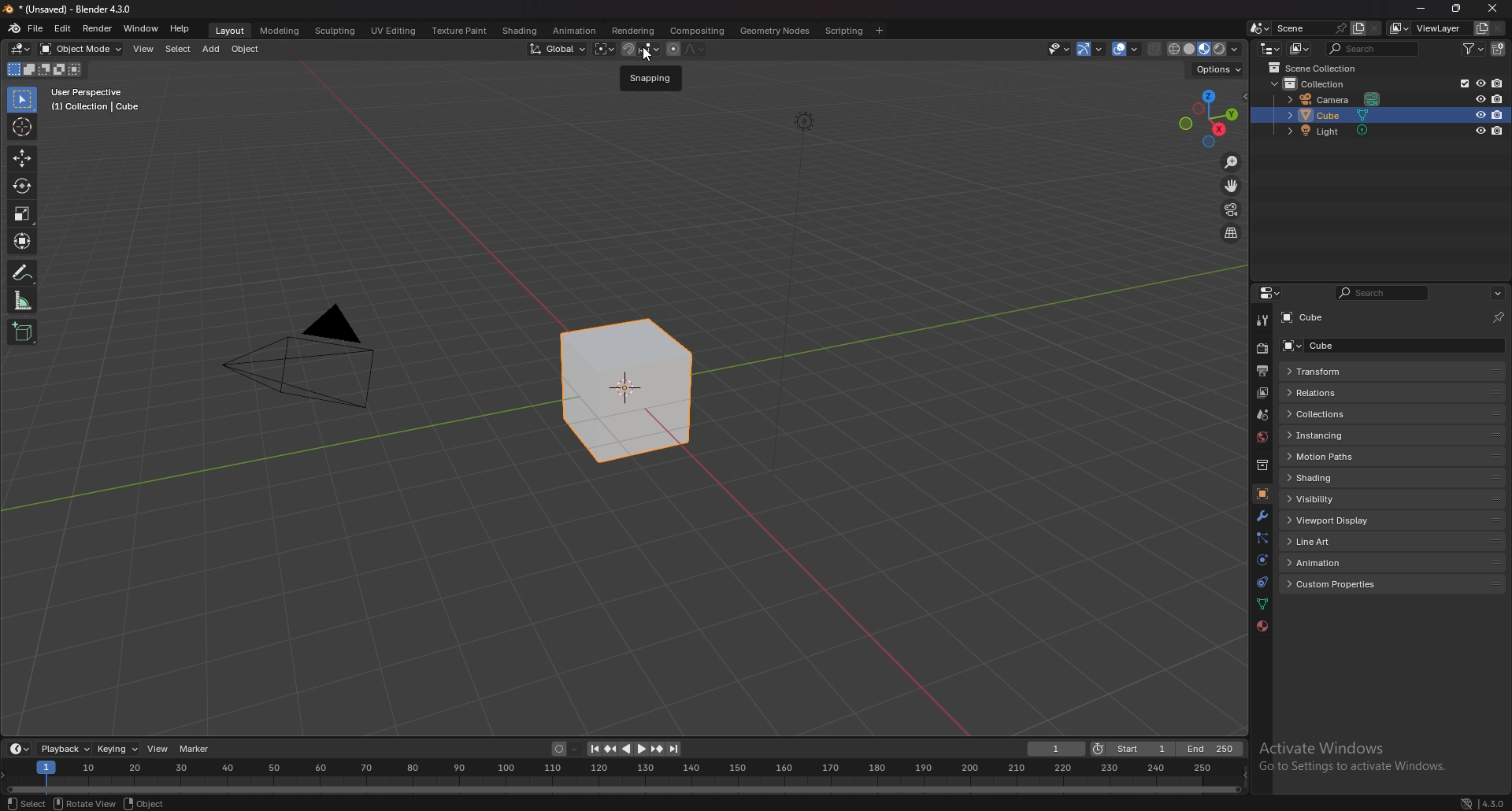 The height and width of the screenshot is (811, 1512). I want to click on disable in renders, so click(1498, 98).